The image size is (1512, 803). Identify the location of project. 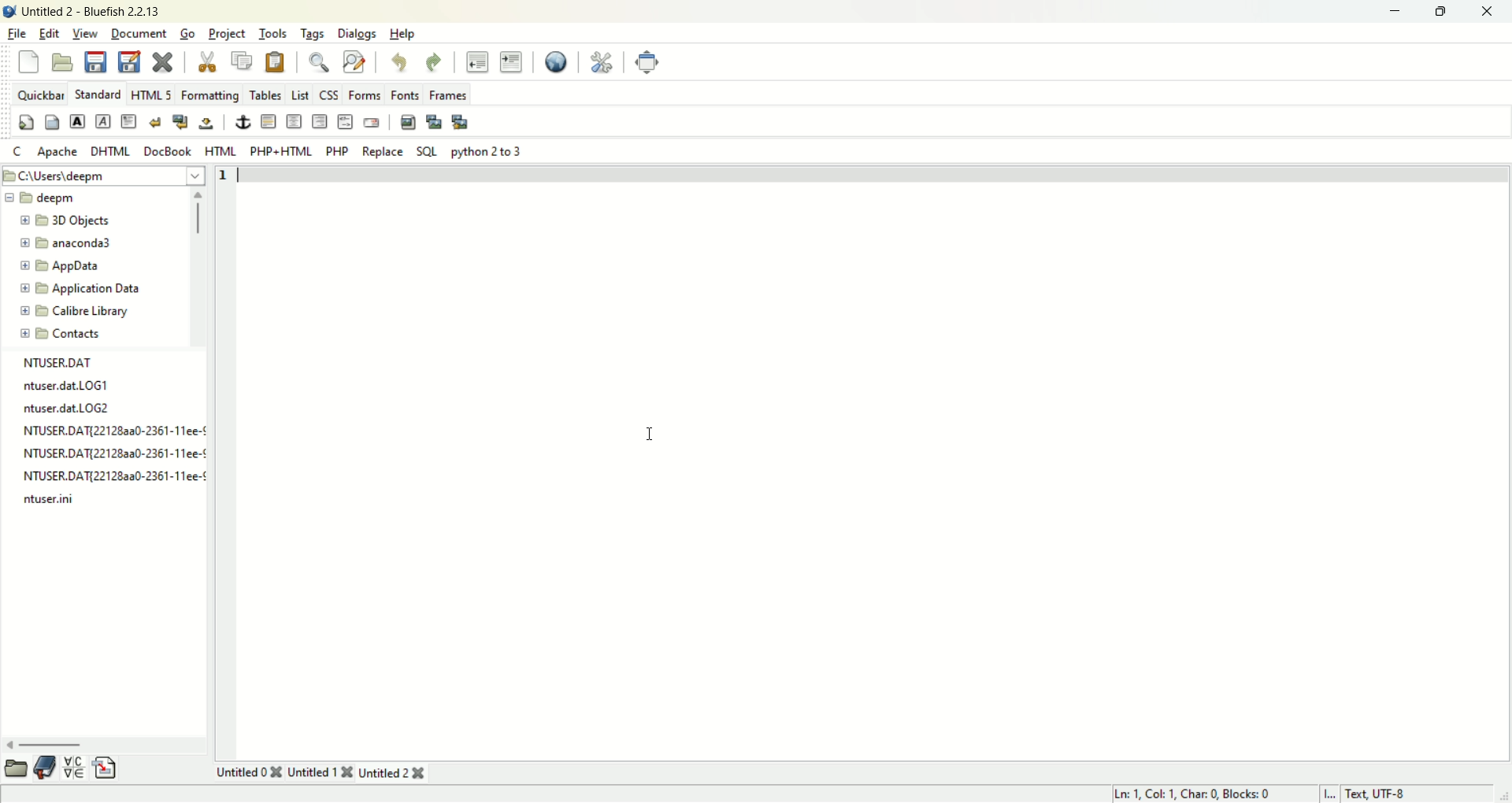
(228, 34).